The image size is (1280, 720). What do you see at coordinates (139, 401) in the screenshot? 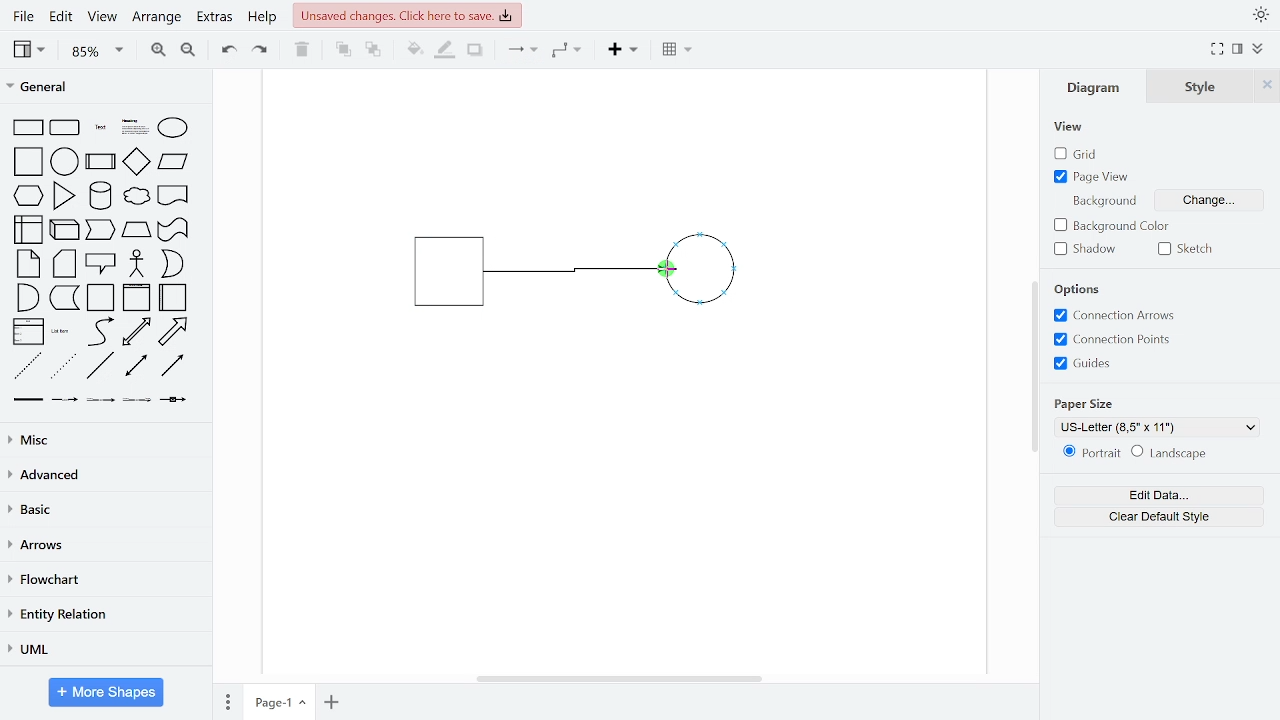
I see `connector with 3 labels` at bounding box center [139, 401].